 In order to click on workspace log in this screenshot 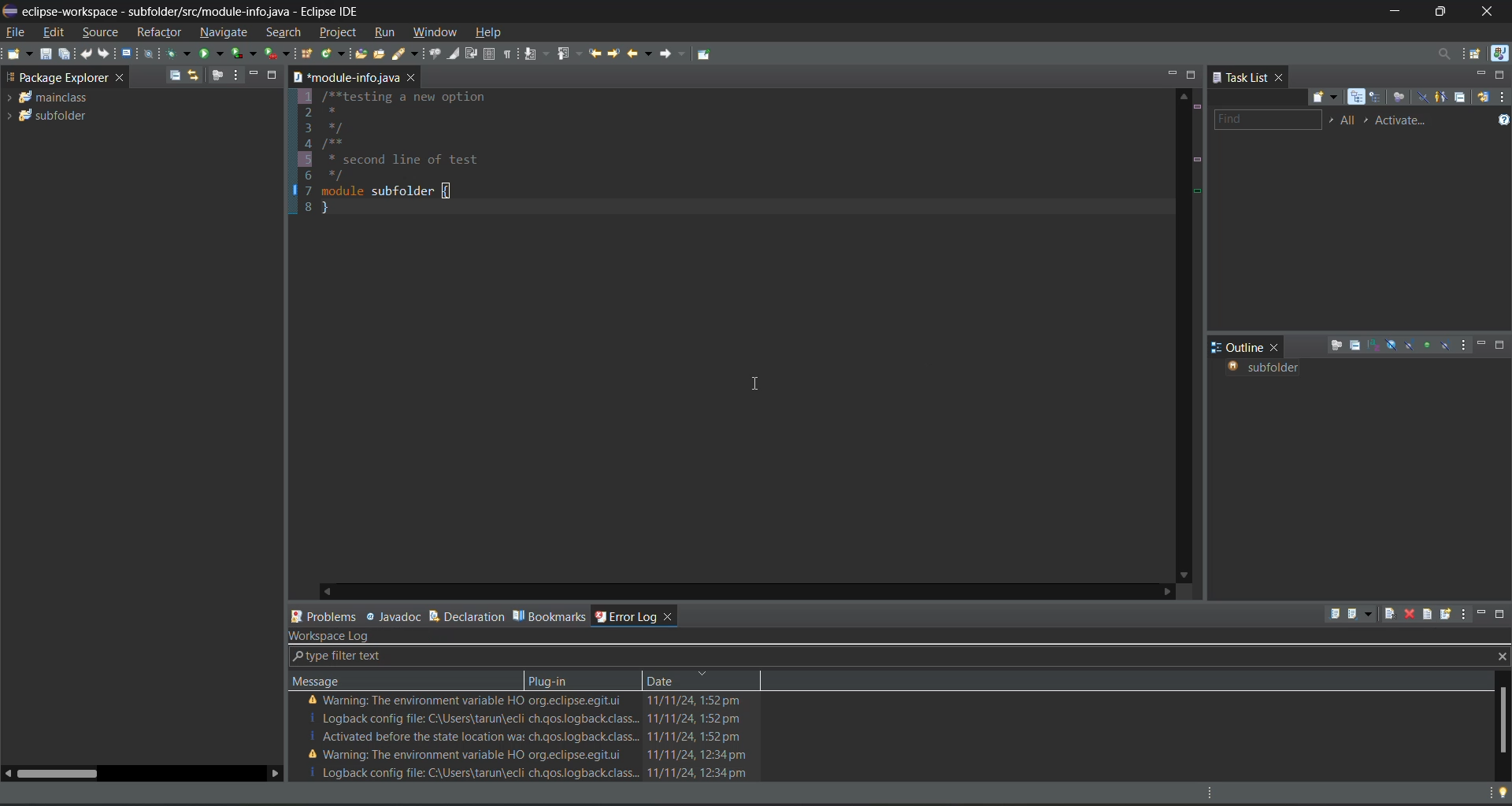, I will do `click(339, 637)`.